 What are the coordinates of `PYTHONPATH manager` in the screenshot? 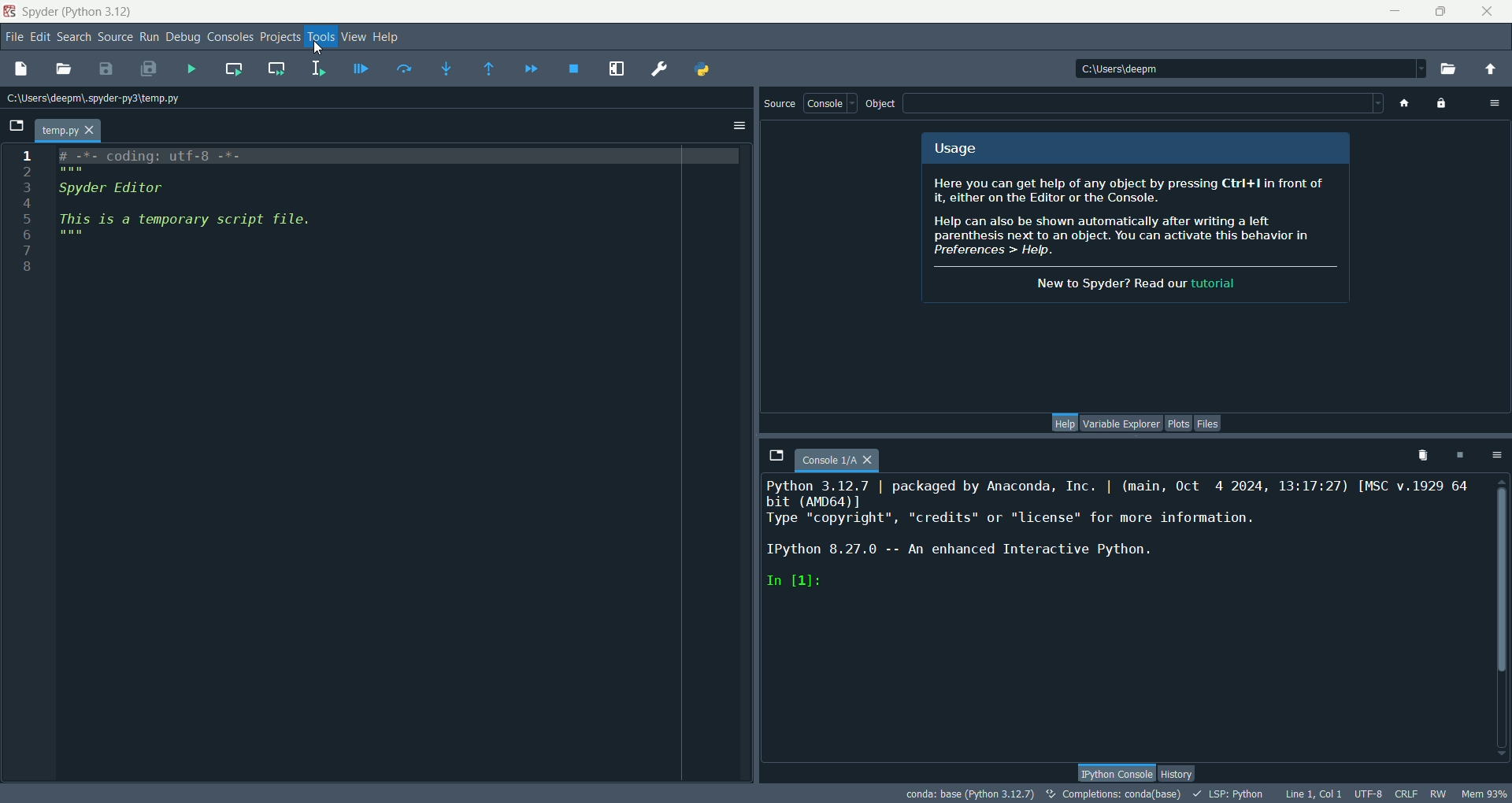 It's located at (702, 68).